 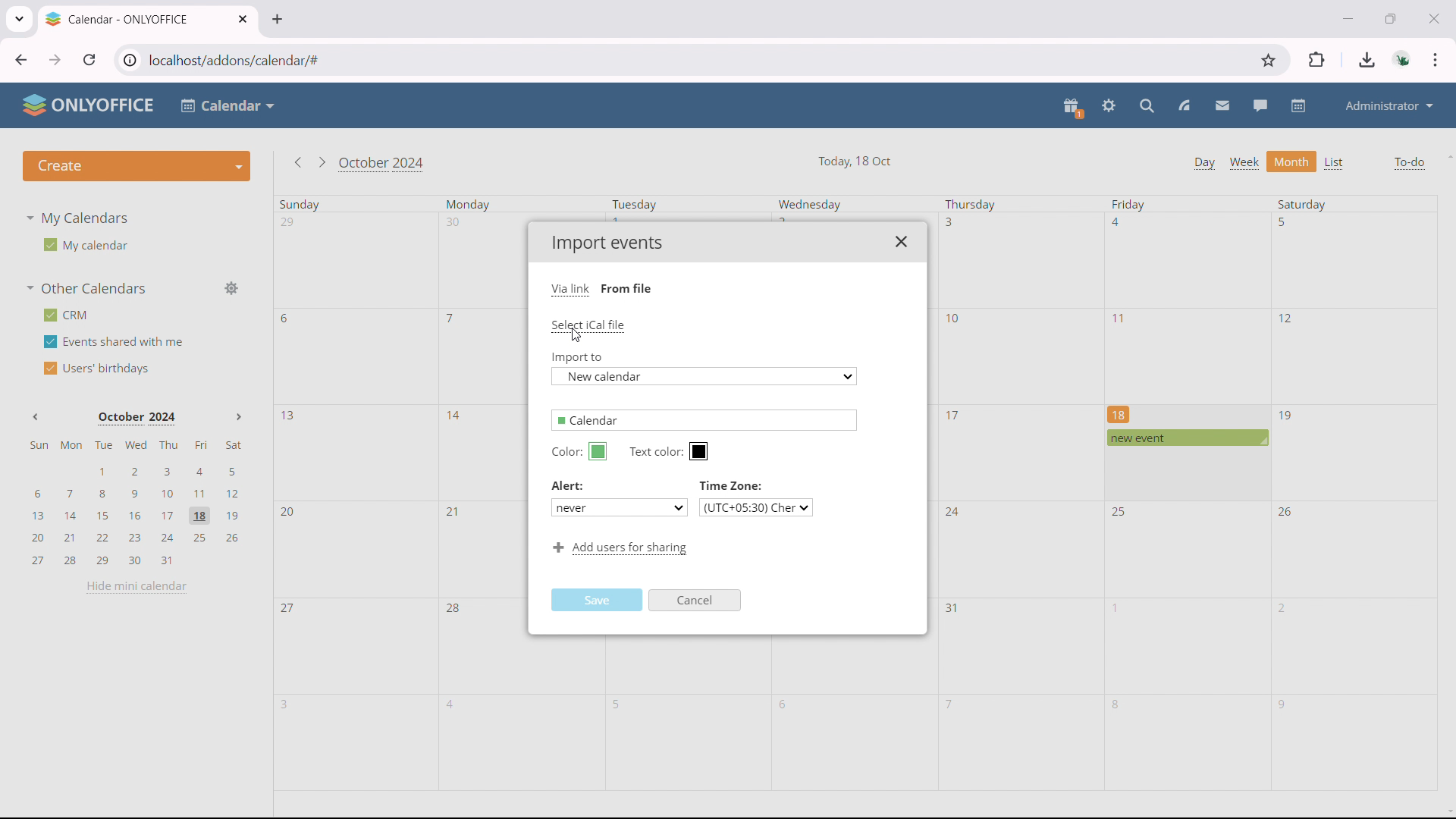 I want to click on 1, so click(x=1118, y=608).